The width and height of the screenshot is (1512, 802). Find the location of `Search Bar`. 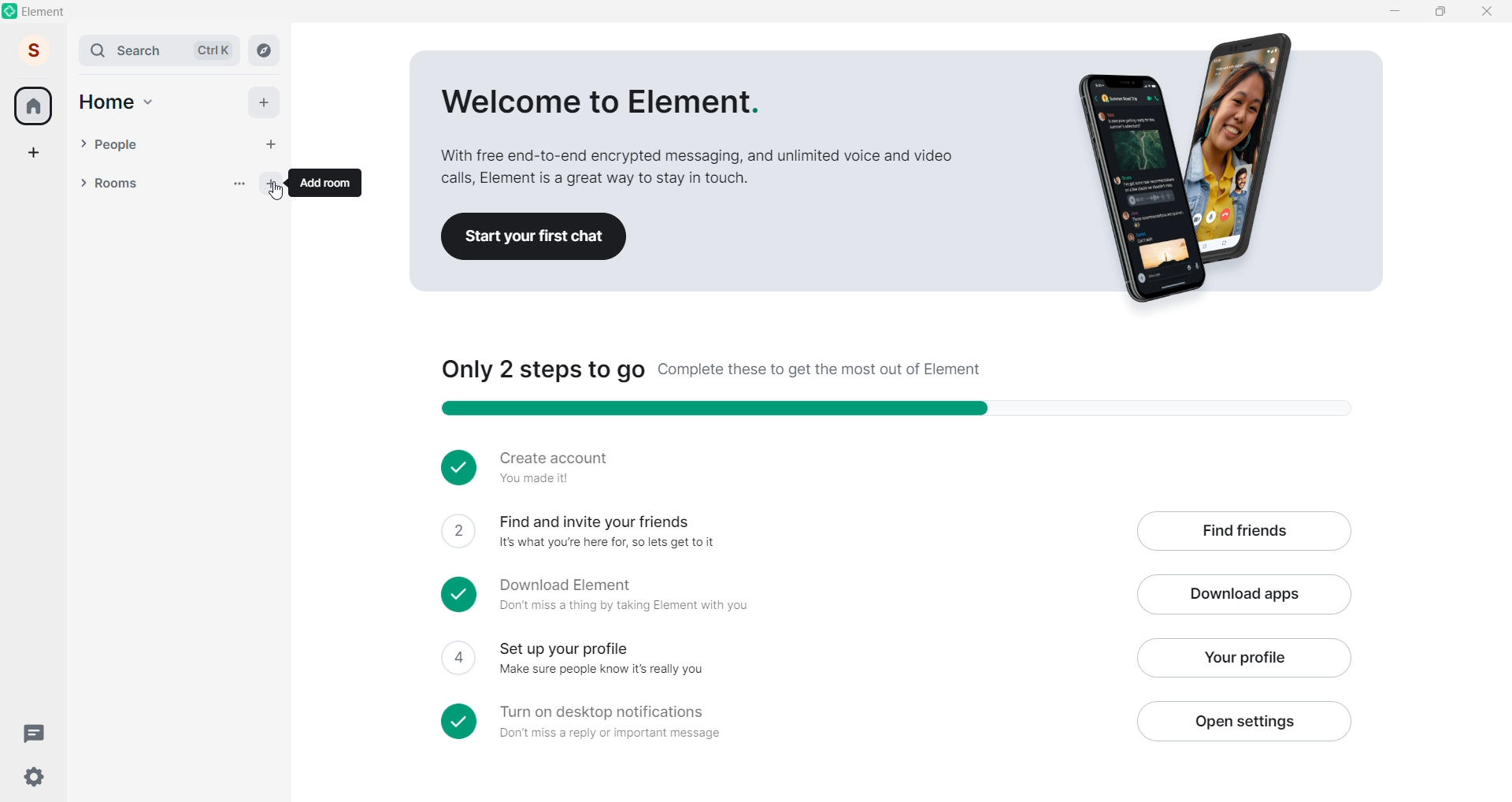

Search Bar is located at coordinates (131, 50).